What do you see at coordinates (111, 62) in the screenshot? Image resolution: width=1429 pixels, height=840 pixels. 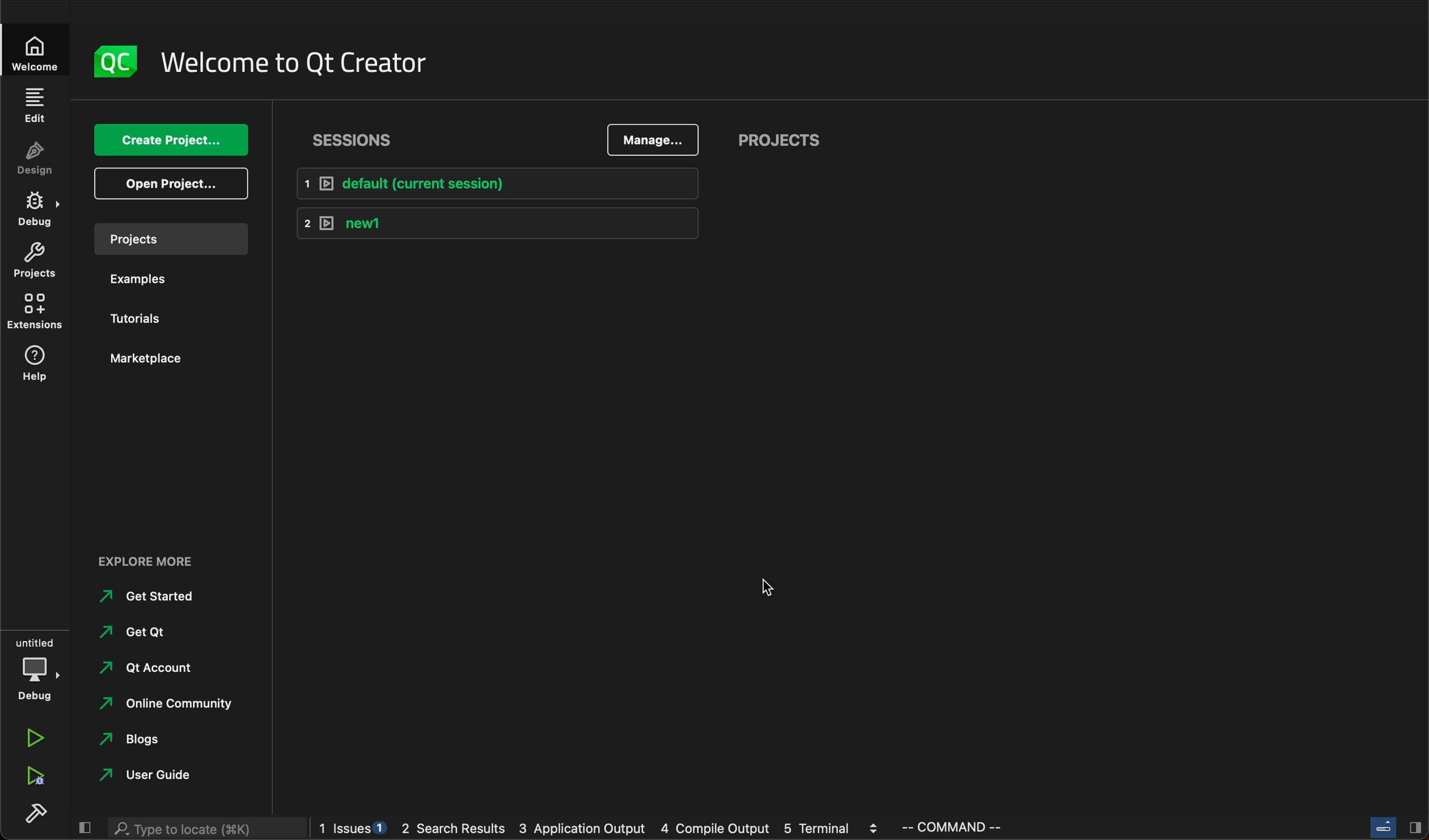 I see `logo` at bounding box center [111, 62].